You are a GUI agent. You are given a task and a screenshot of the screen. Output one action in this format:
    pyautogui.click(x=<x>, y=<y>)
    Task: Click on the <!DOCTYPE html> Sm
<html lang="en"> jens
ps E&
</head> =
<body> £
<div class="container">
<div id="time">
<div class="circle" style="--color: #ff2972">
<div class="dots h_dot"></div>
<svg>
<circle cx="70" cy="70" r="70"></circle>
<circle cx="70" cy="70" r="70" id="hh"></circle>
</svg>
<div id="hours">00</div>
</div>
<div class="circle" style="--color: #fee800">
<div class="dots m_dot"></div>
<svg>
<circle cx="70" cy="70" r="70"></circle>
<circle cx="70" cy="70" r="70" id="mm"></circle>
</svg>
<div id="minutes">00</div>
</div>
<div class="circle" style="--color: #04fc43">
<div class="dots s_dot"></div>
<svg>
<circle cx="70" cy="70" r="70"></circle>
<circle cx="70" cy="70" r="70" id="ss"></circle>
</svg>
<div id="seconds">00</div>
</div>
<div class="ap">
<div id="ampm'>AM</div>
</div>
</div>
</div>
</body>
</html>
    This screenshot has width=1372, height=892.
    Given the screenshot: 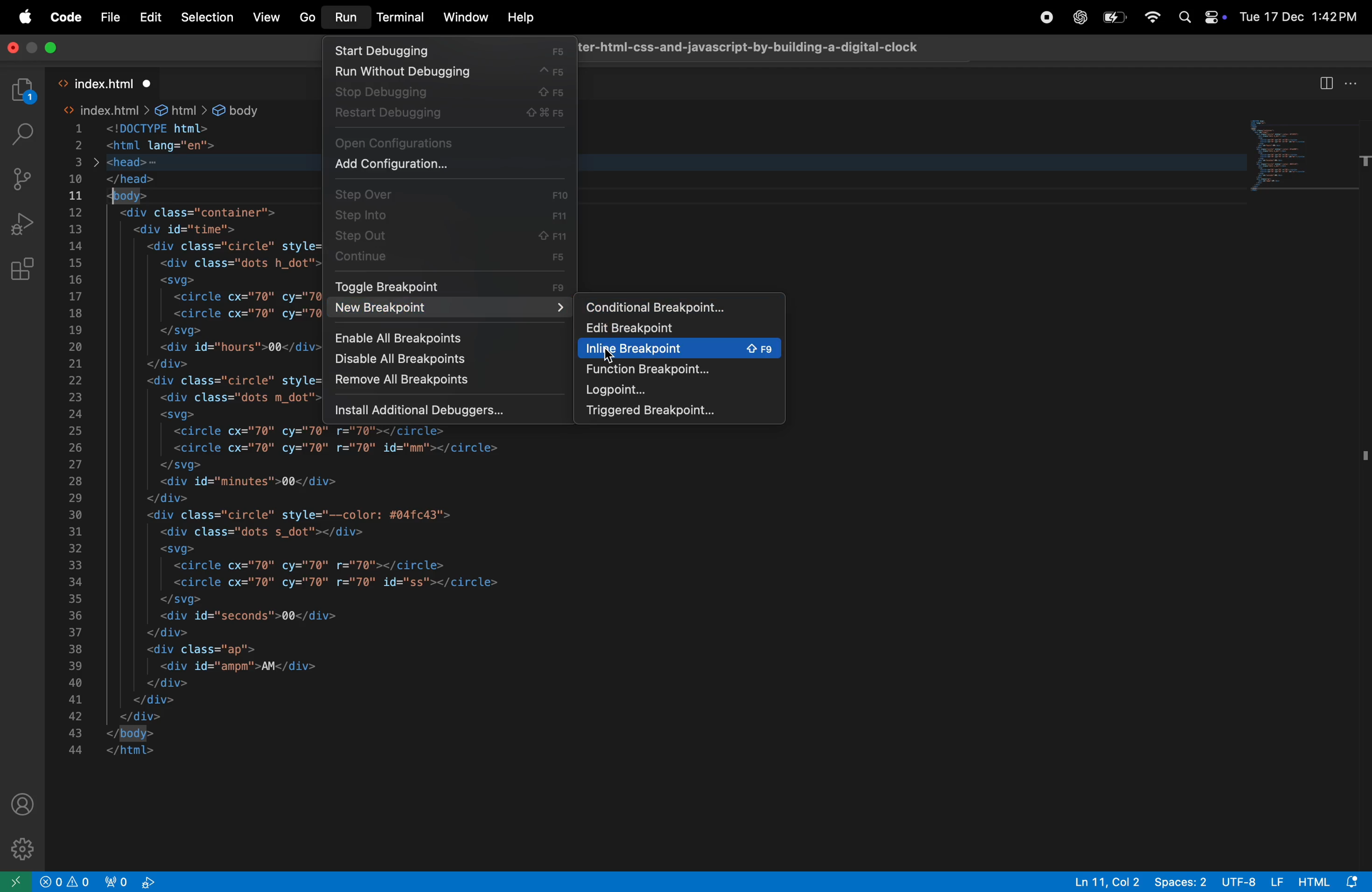 What is the action you would take?
    pyautogui.click(x=210, y=440)
    